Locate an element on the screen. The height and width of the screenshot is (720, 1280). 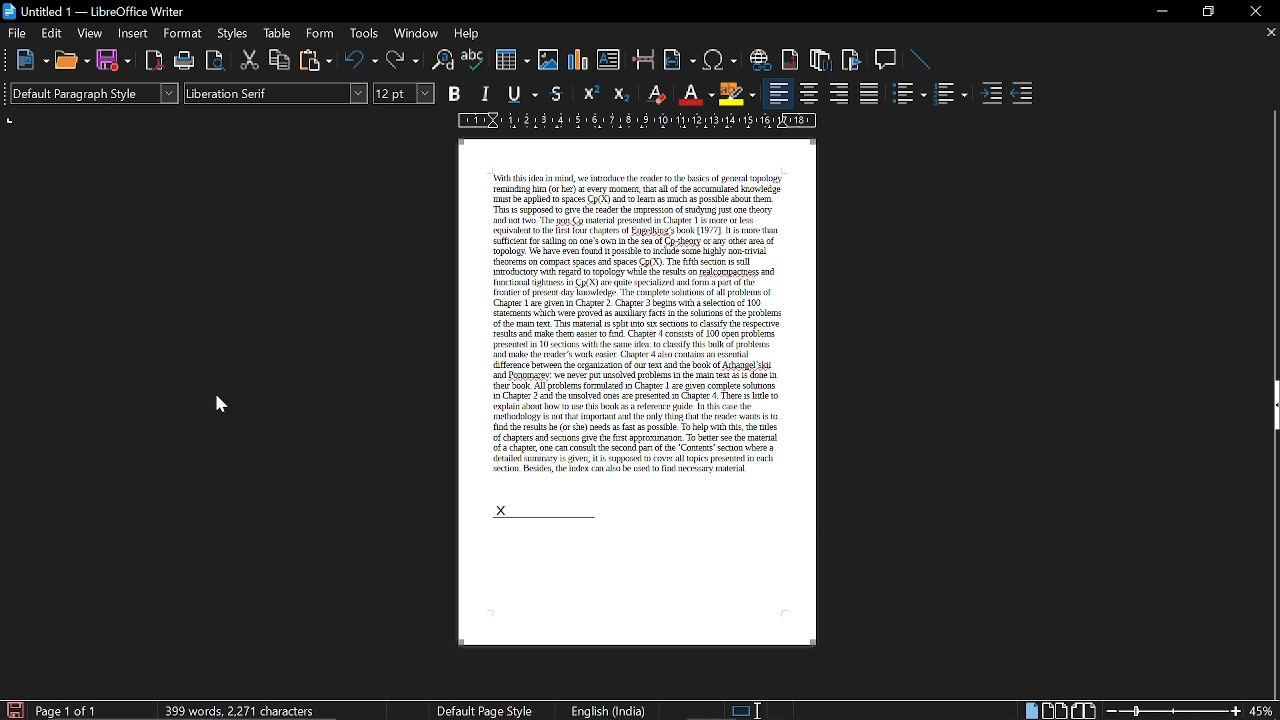
print is located at coordinates (185, 60).